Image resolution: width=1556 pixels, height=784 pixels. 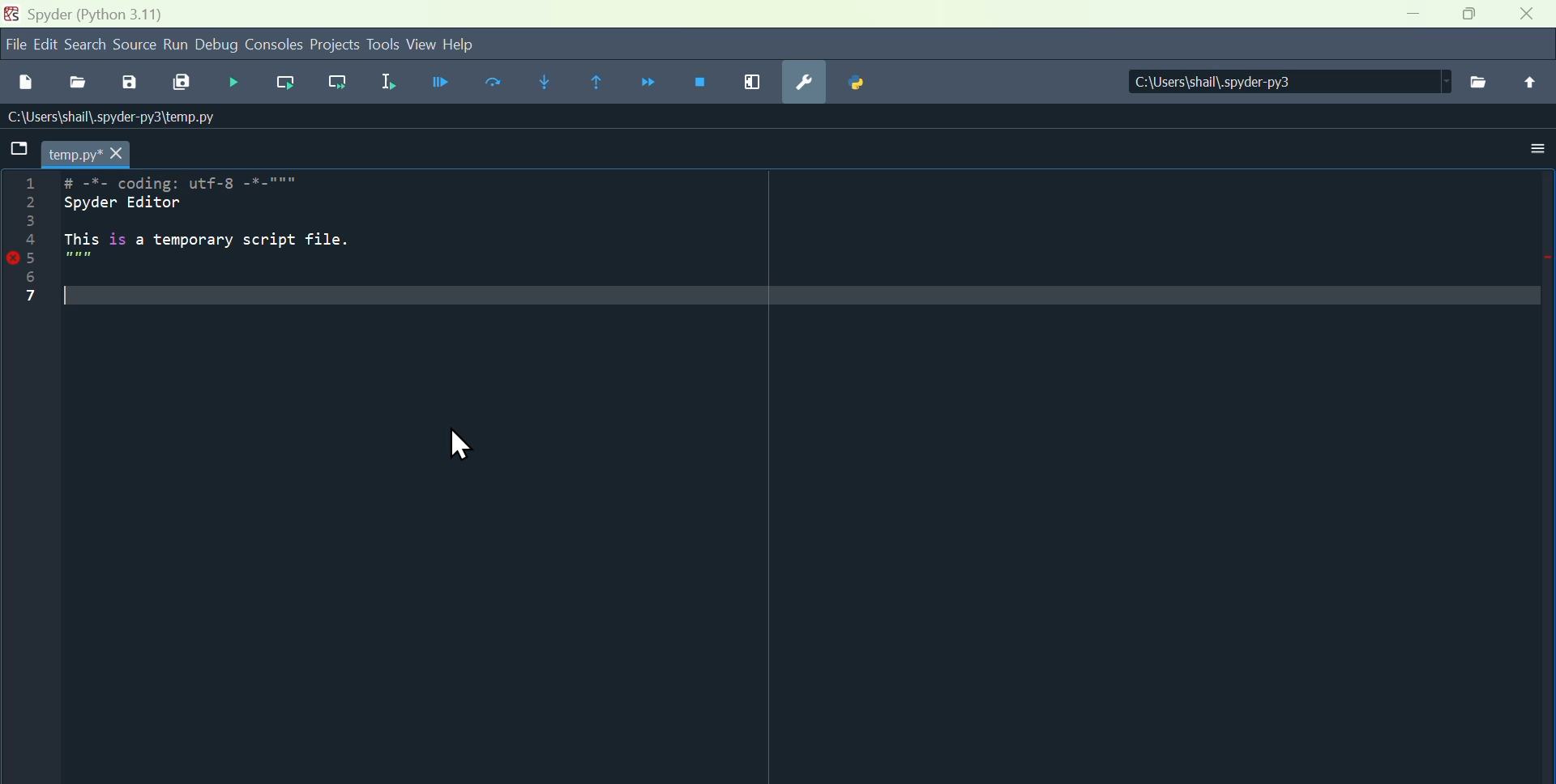 What do you see at coordinates (217, 44) in the screenshot?
I see `Debug` at bounding box center [217, 44].